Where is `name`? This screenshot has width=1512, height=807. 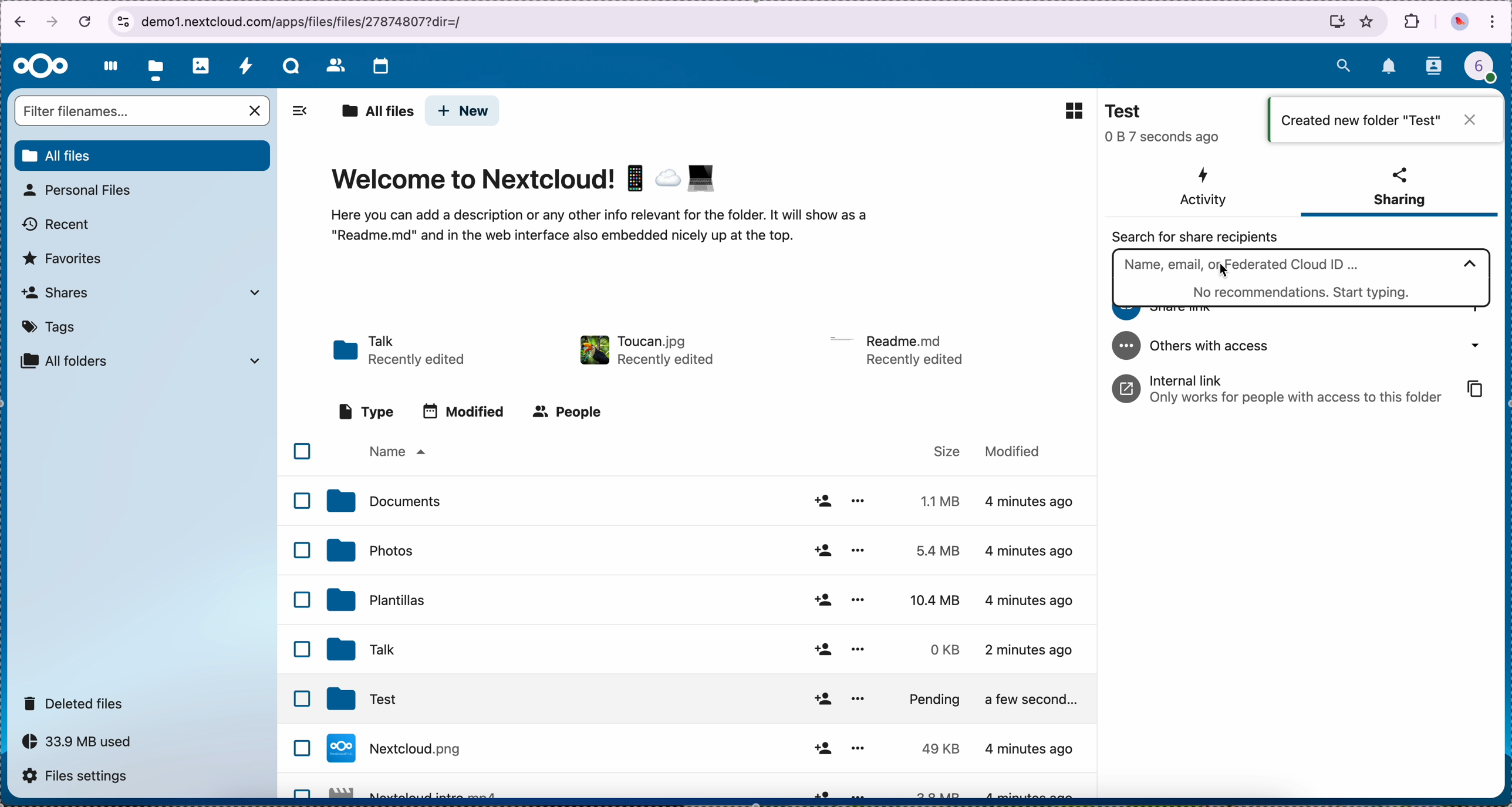 name is located at coordinates (396, 453).